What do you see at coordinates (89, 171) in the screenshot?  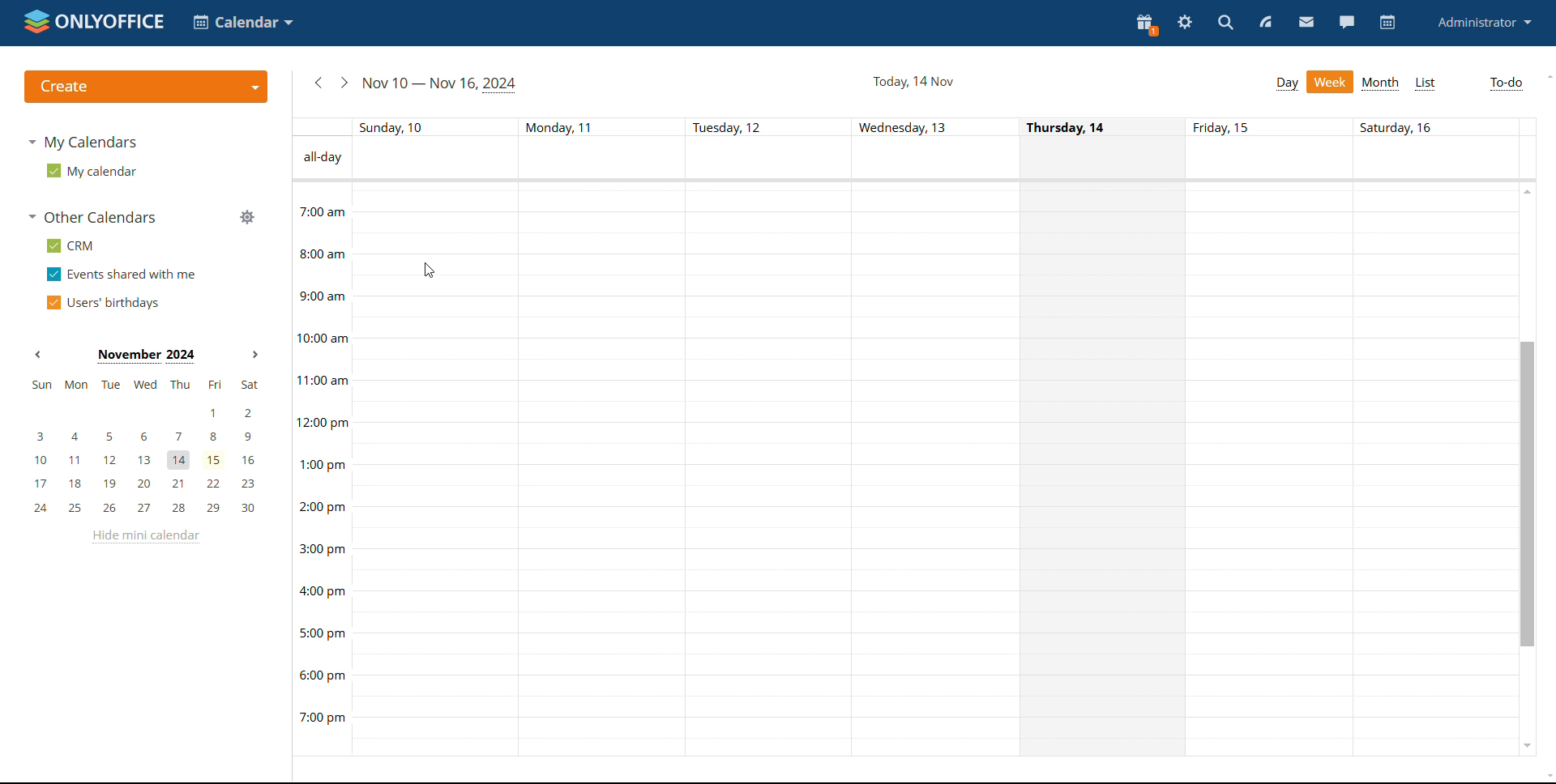 I see `my calendar` at bounding box center [89, 171].